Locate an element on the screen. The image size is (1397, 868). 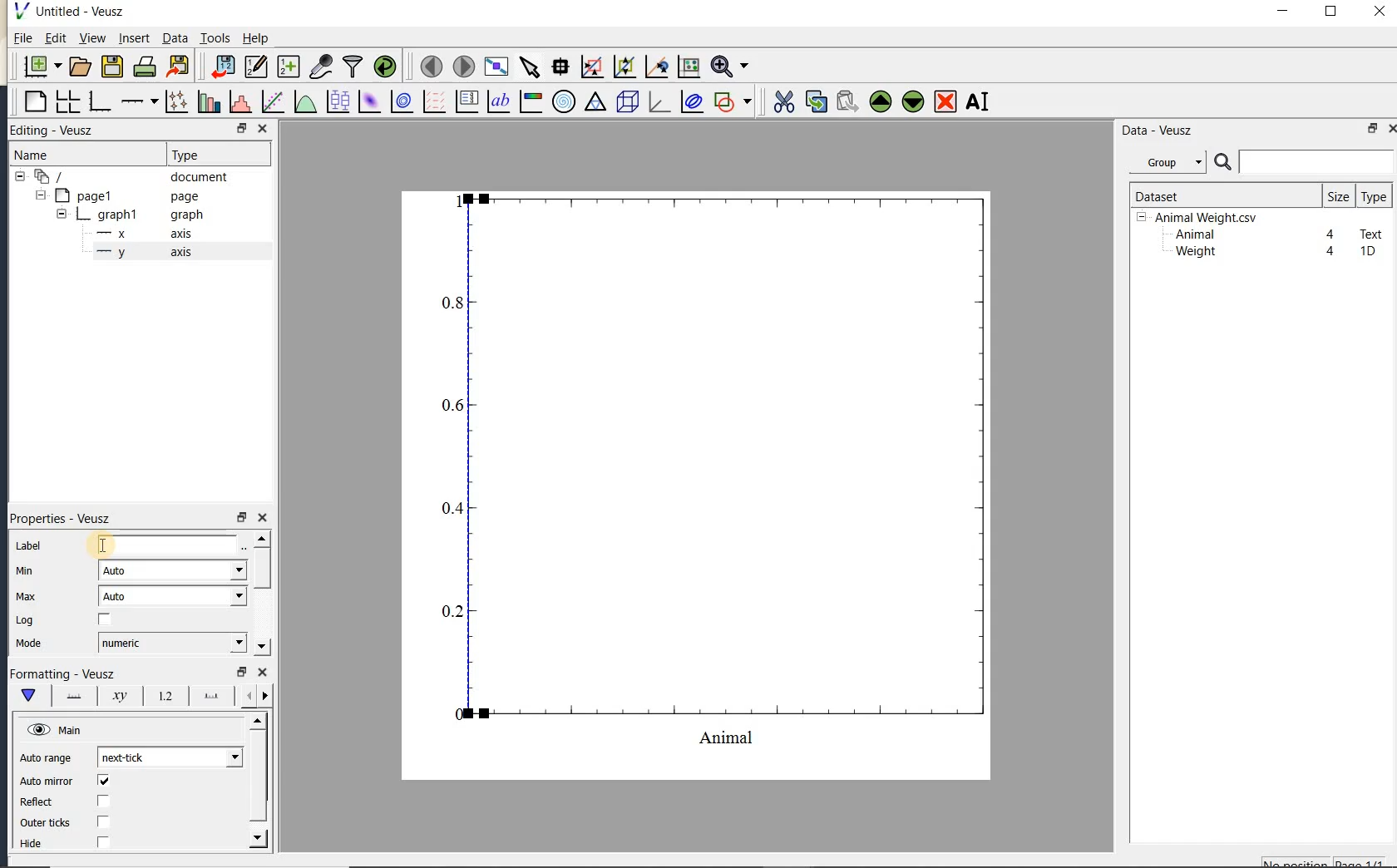
Animalweight.csv is located at coordinates (1201, 218).